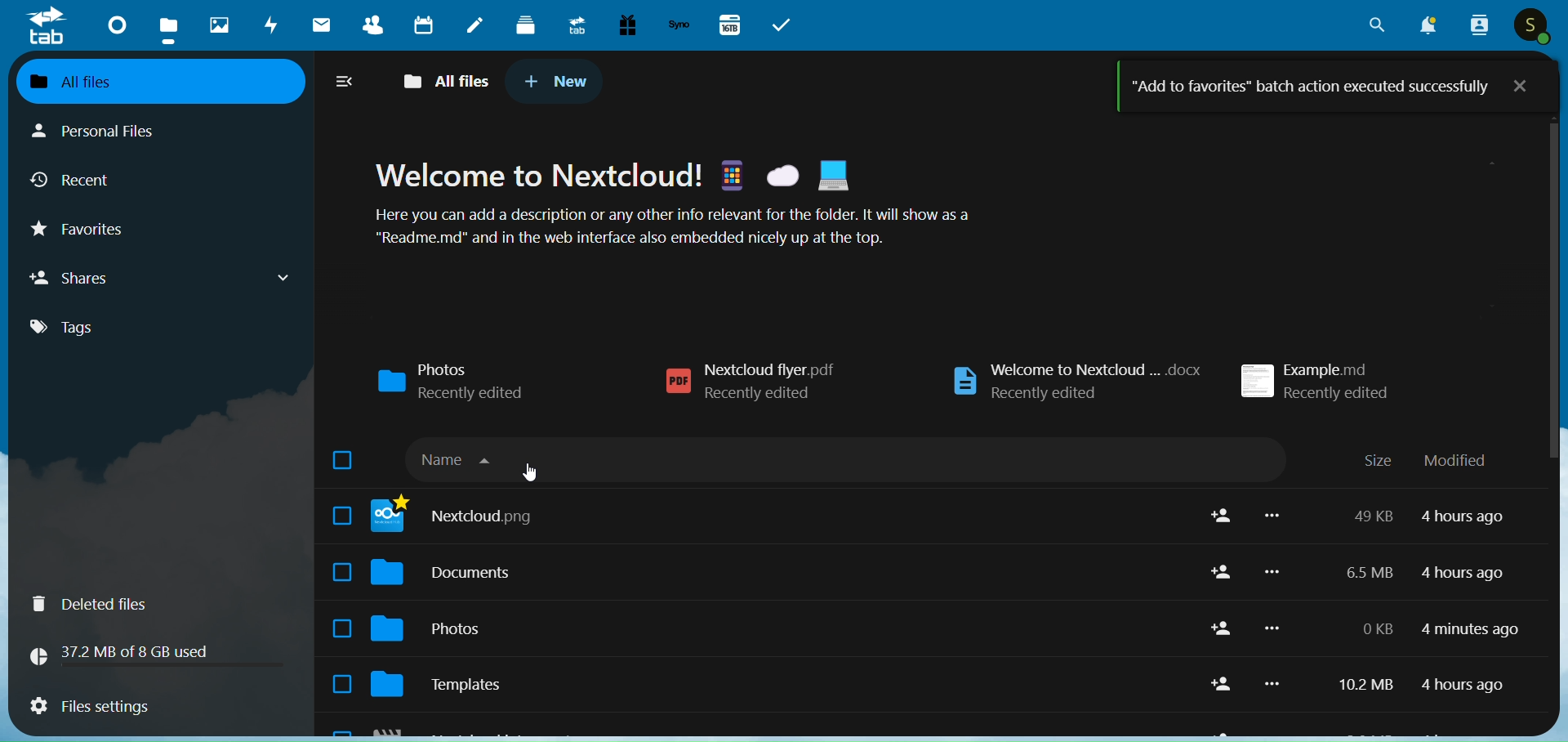 The image size is (1568, 742). I want to click on Laptop emoji, so click(833, 175).